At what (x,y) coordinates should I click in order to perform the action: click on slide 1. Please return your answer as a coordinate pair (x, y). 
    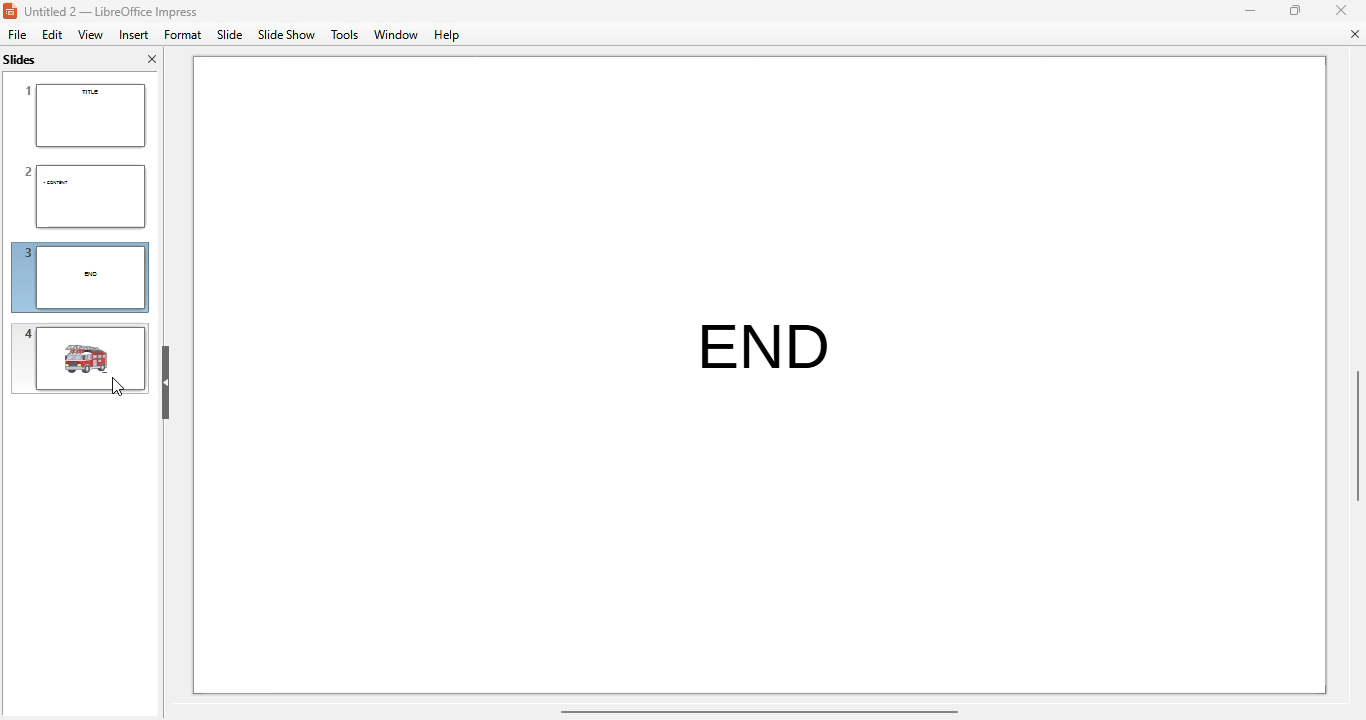
    Looking at the image, I should click on (83, 116).